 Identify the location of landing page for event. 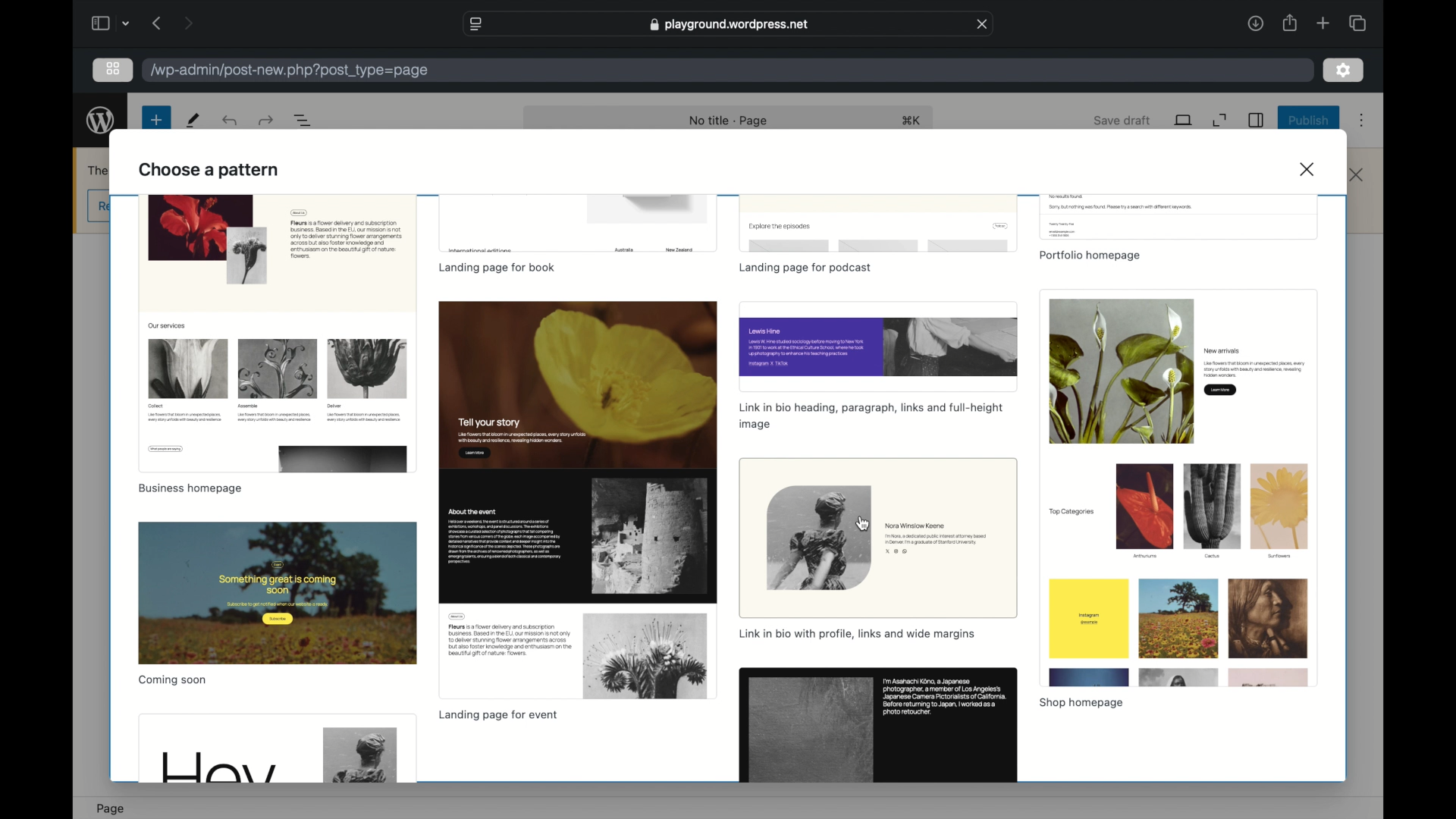
(497, 716).